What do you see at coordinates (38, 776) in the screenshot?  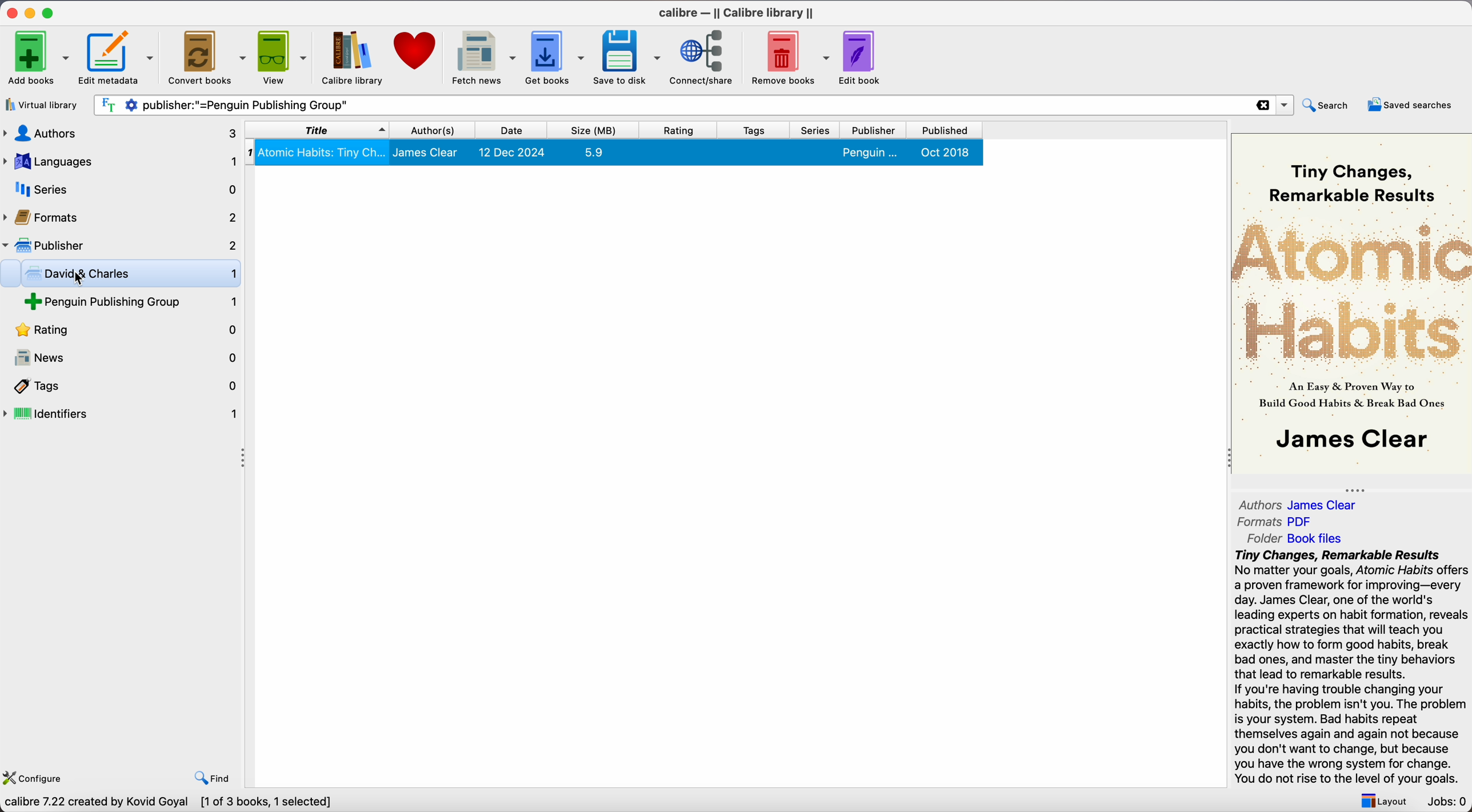 I see `configure` at bounding box center [38, 776].